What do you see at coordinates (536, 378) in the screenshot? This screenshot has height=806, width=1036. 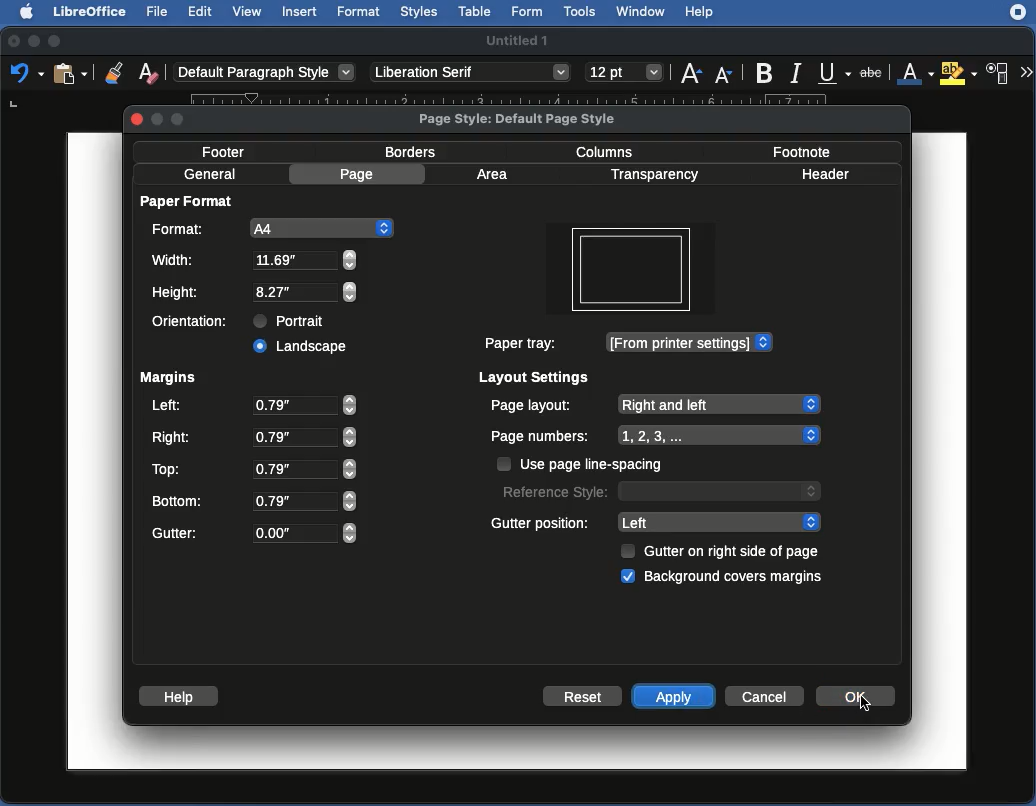 I see `Layout settings` at bounding box center [536, 378].